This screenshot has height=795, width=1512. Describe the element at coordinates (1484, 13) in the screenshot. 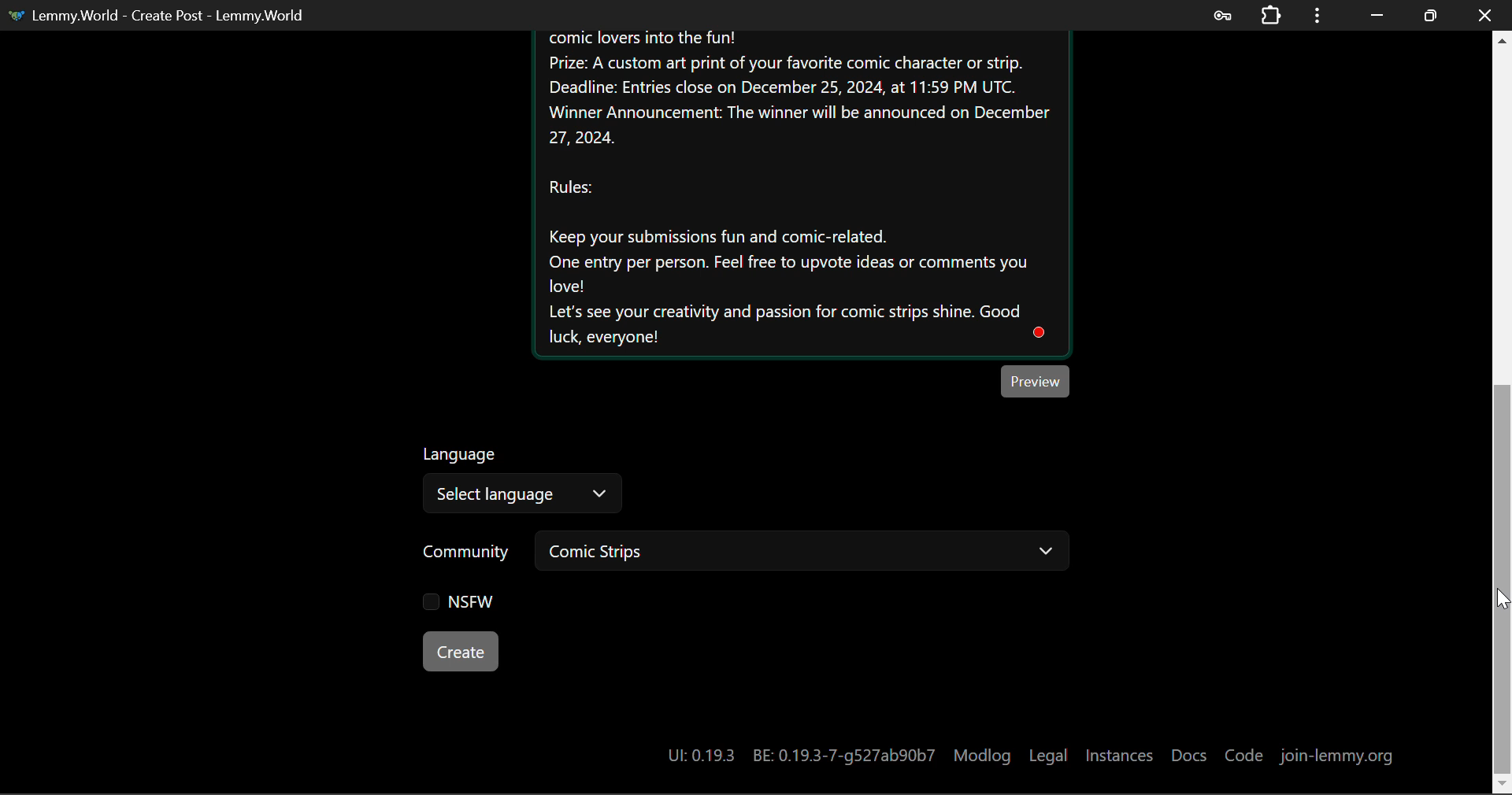

I see `Close Window` at that location.